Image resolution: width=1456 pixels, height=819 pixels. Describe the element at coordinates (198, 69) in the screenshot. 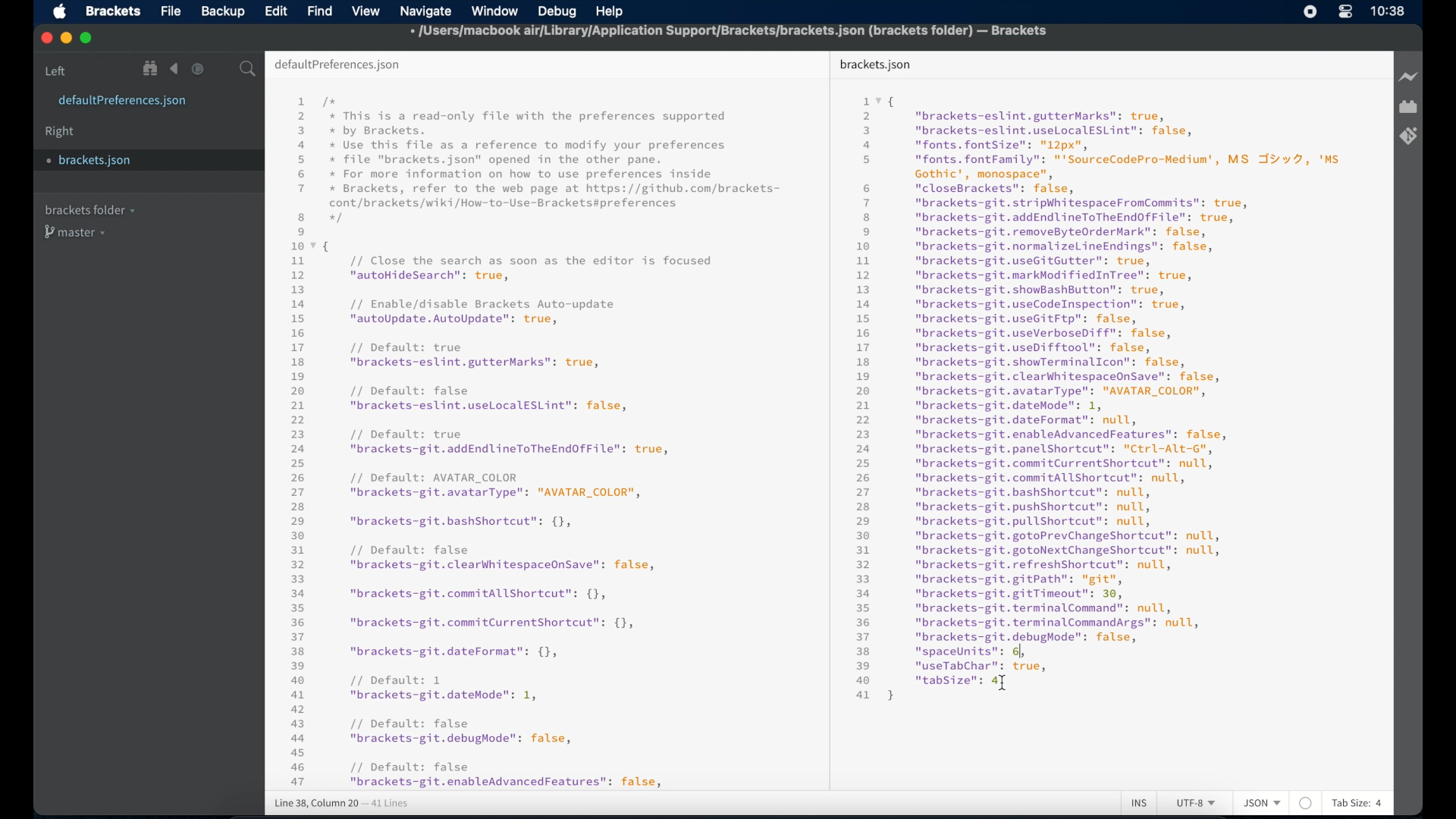

I see `navigate forward` at that location.